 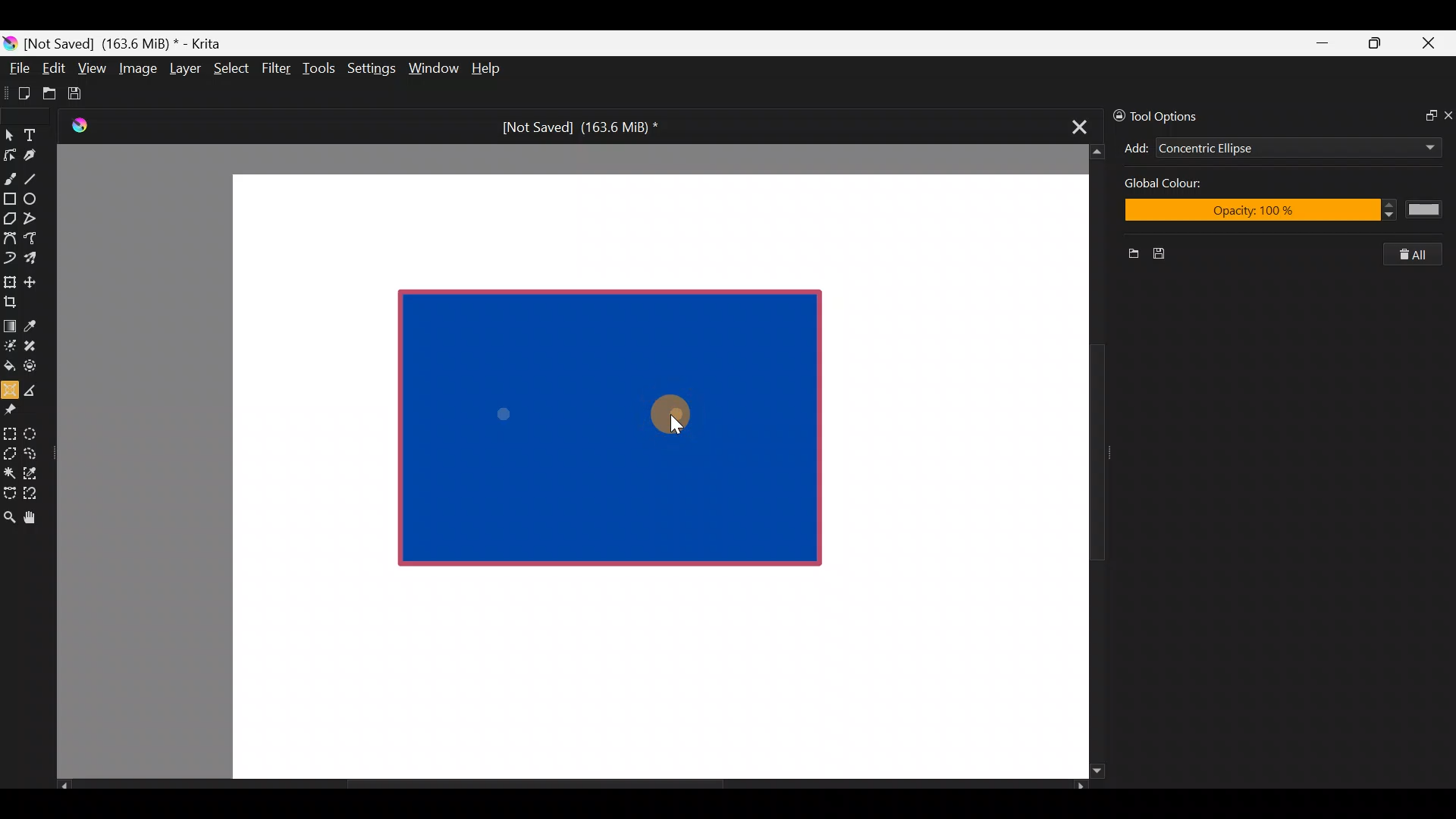 I want to click on Edit, so click(x=53, y=71).